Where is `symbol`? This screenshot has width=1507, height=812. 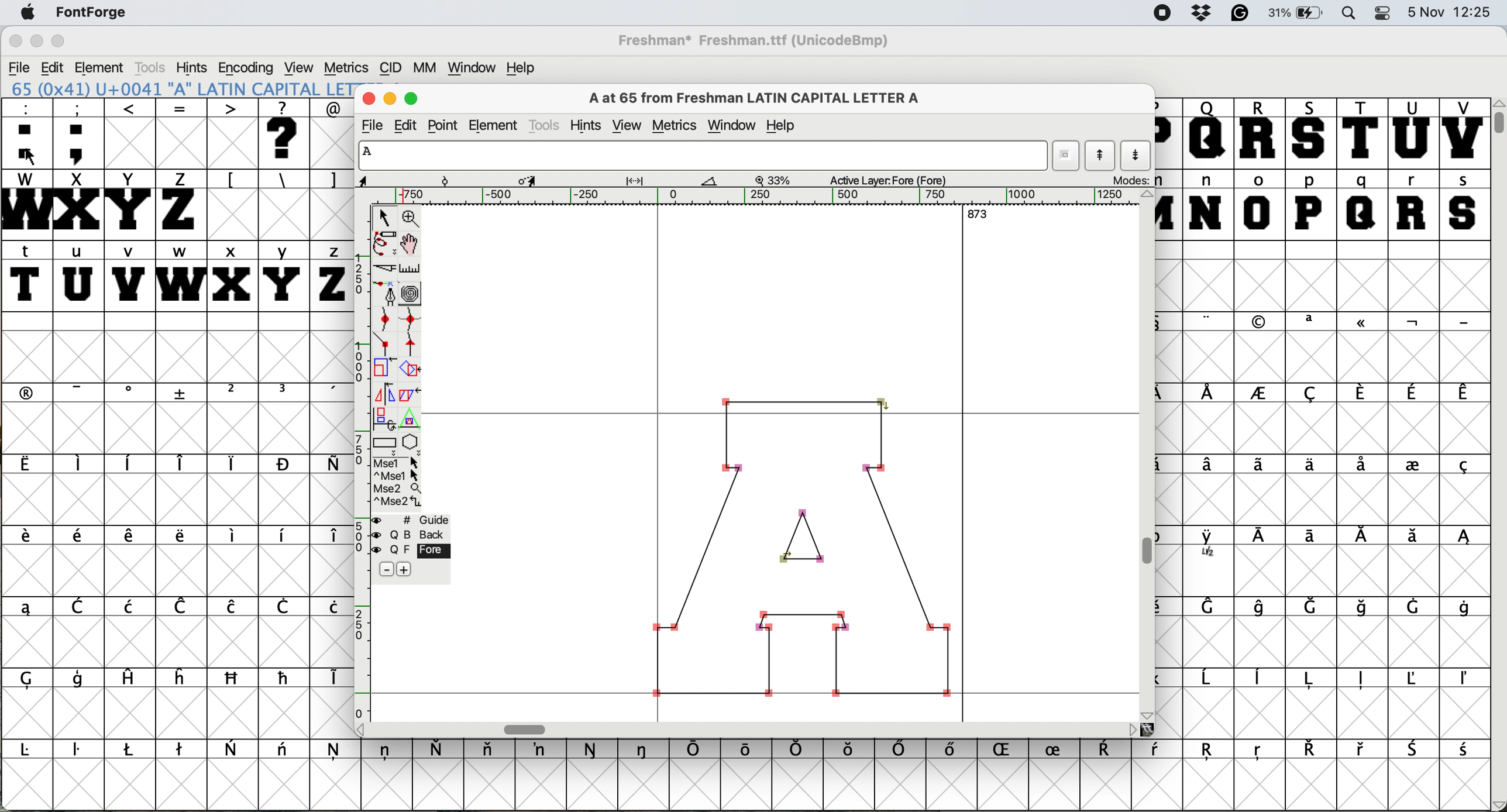
symbol is located at coordinates (284, 464).